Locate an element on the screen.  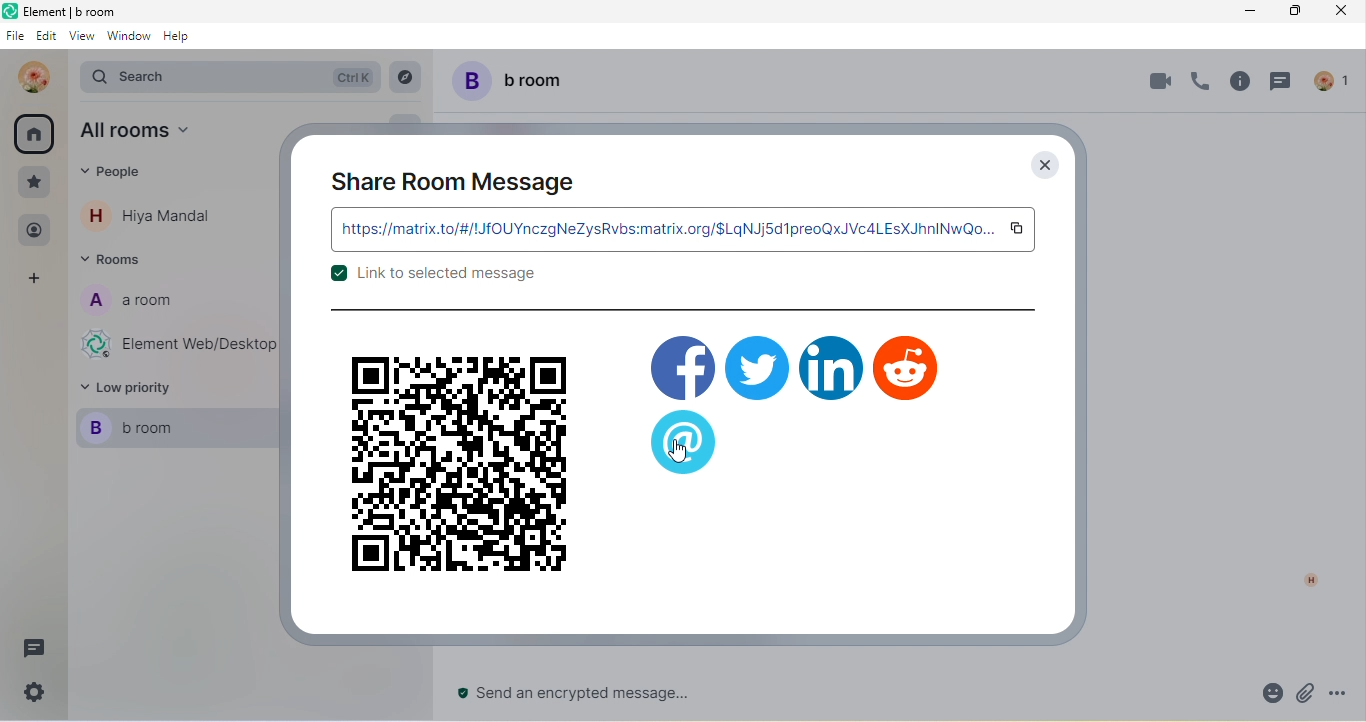
setting is located at coordinates (31, 697).